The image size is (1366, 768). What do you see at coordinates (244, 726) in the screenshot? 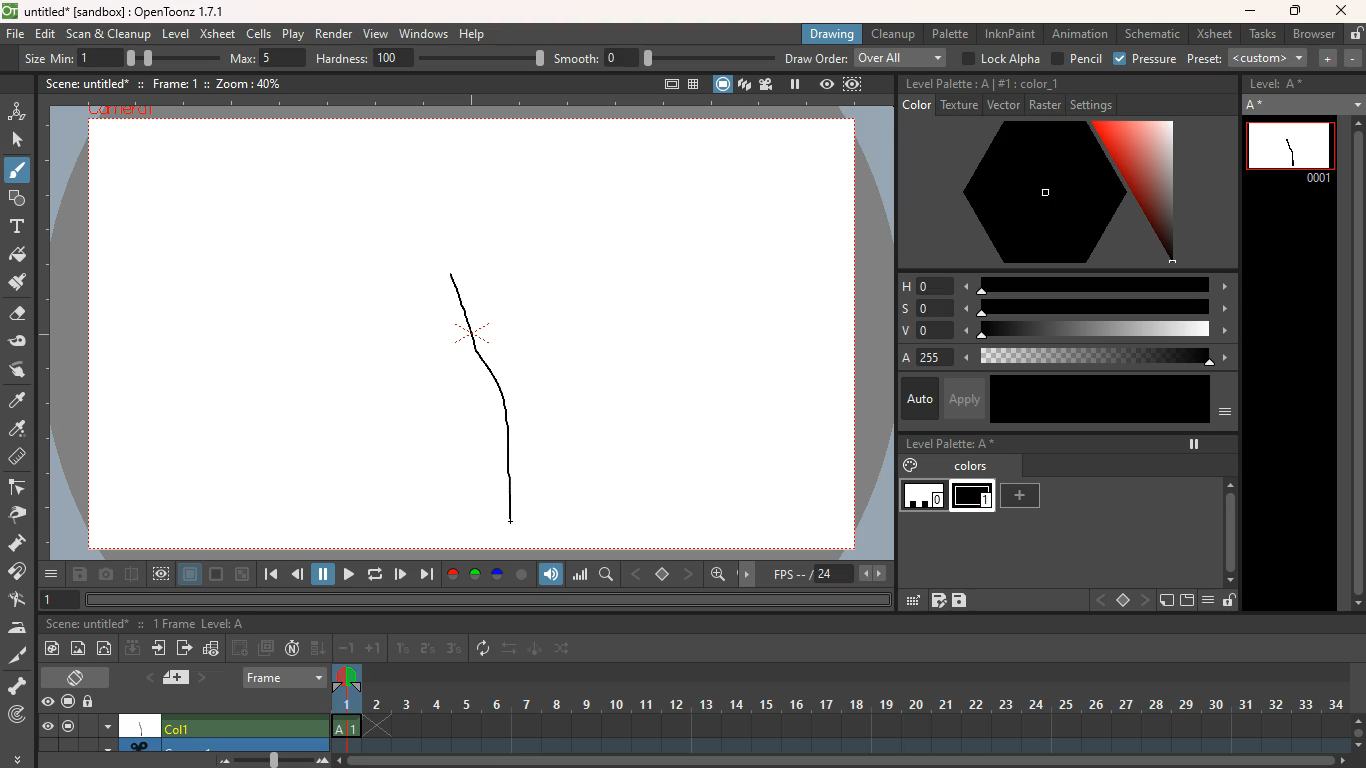
I see `Col1` at bounding box center [244, 726].